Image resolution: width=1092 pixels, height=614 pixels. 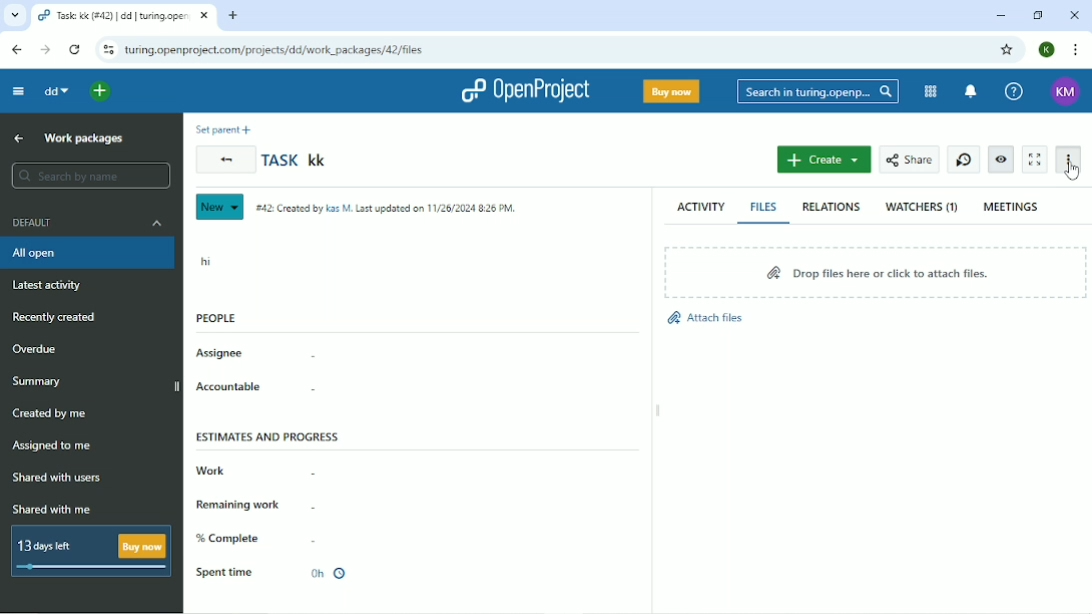 What do you see at coordinates (1000, 15) in the screenshot?
I see `Minimize` at bounding box center [1000, 15].